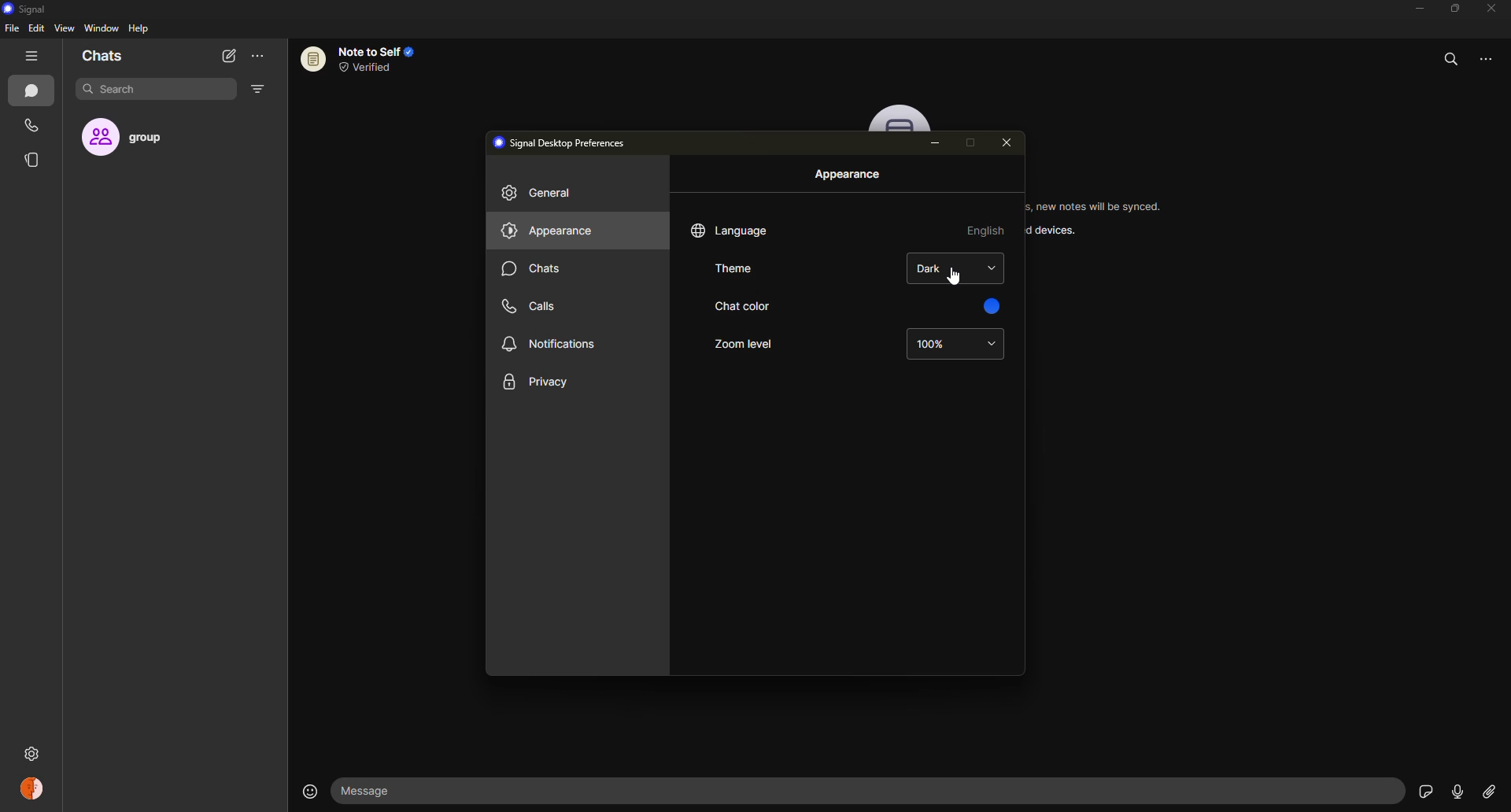 The height and width of the screenshot is (812, 1511). I want to click on cursor, so click(951, 281).